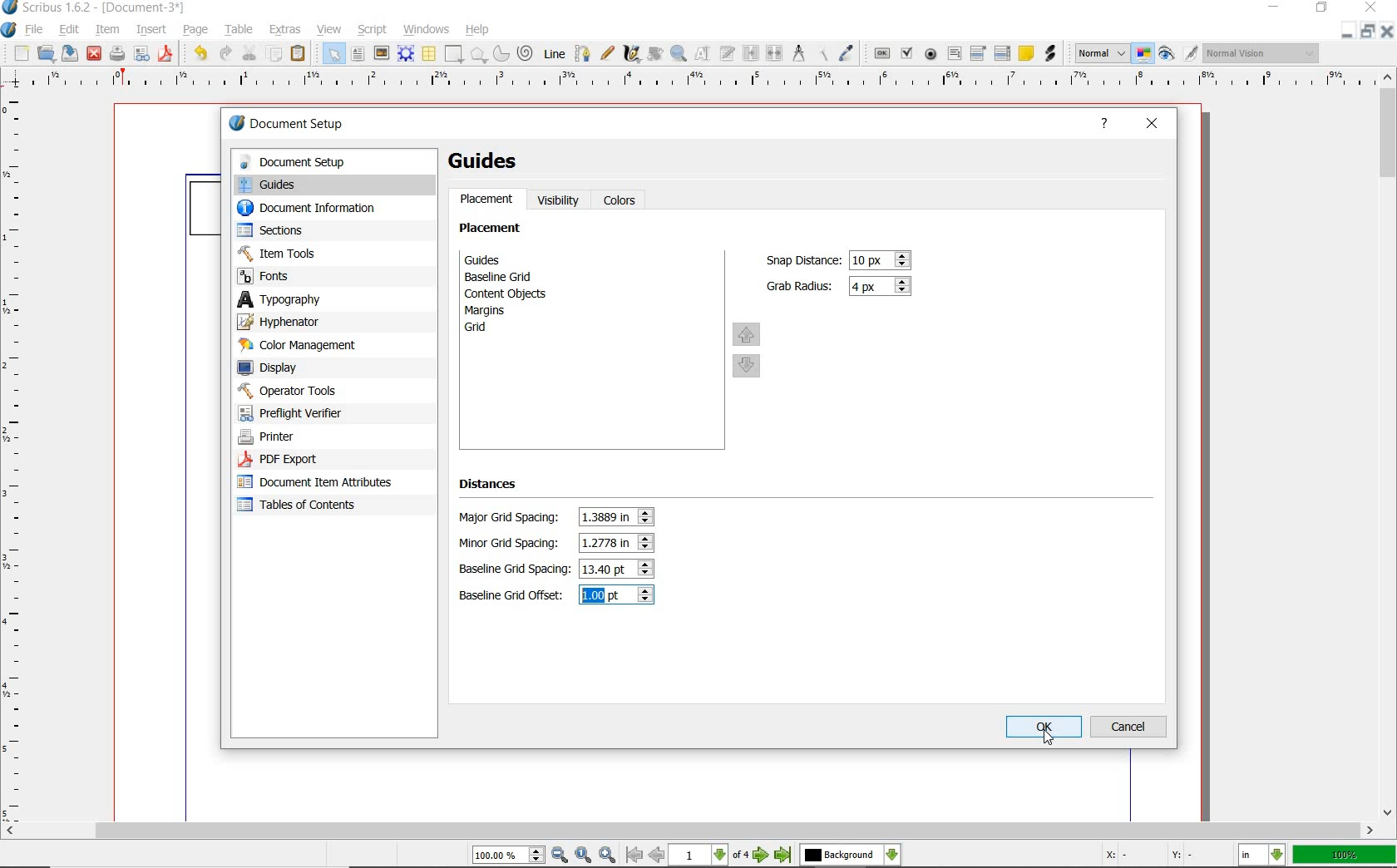 The width and height of the screenshot is (1397, 868). Describe the element at coordinates (1048, 739) in the screenshot. I see `Cursor` at that location.